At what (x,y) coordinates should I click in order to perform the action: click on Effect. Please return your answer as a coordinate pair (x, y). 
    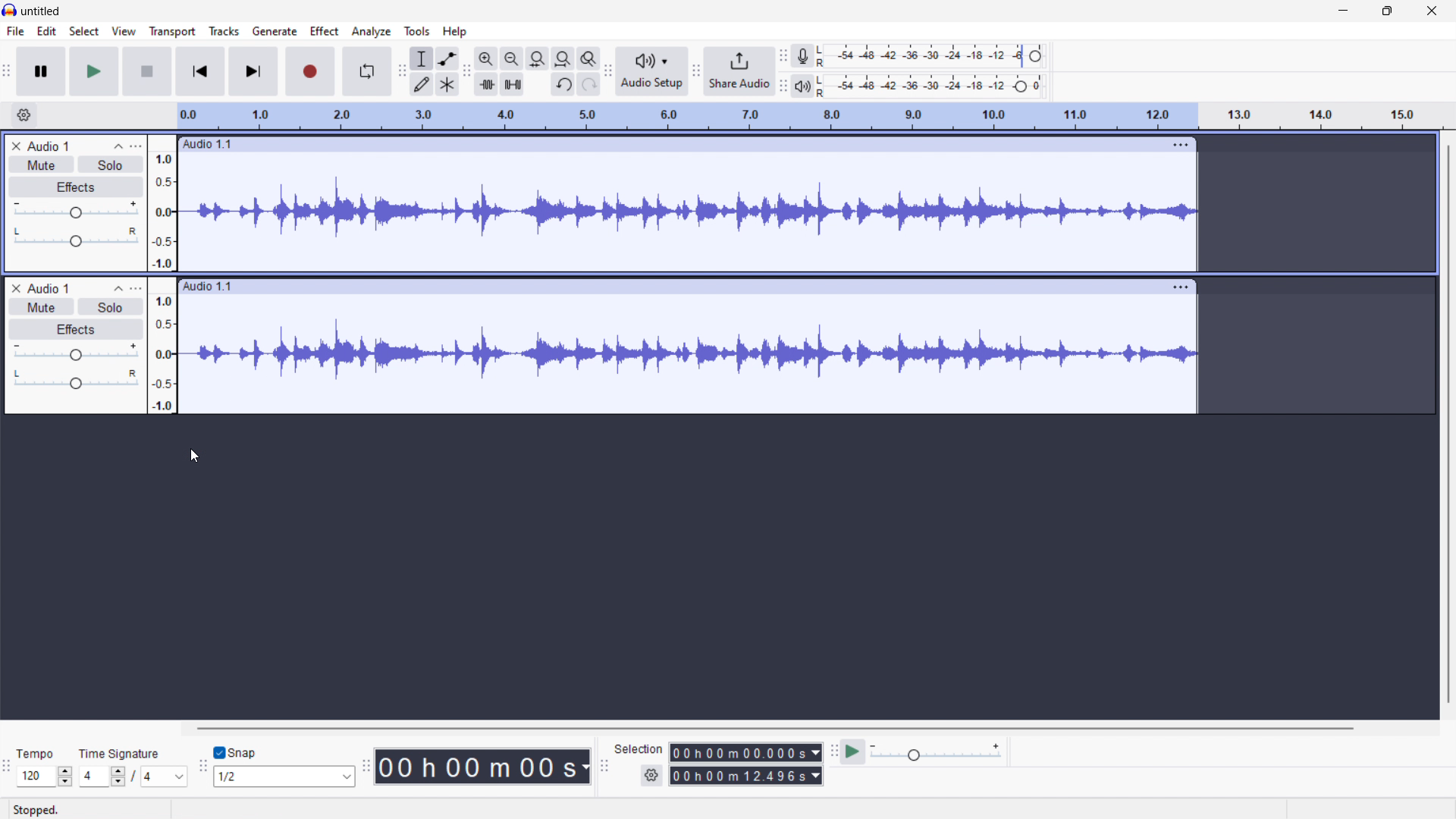
    Looking at the image, I should click on (73, 328).